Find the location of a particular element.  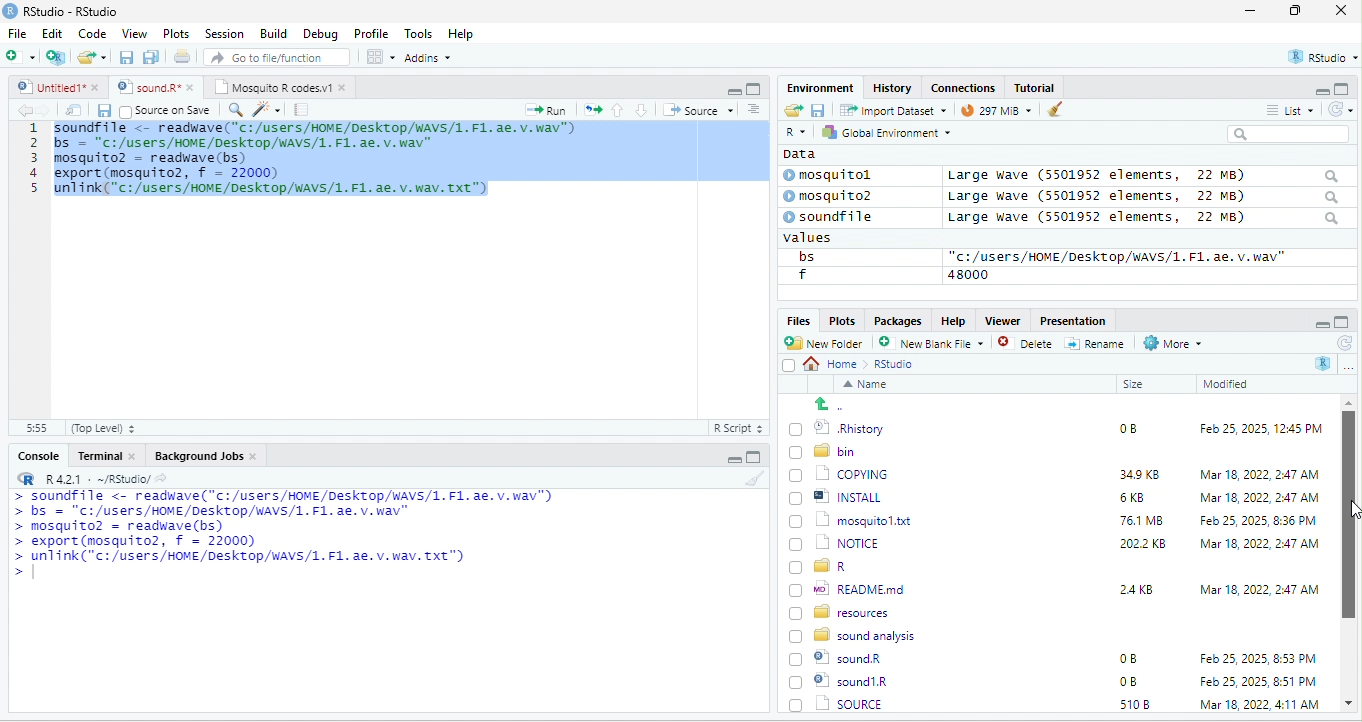

+ Source + is located at coordinates (698, 109).